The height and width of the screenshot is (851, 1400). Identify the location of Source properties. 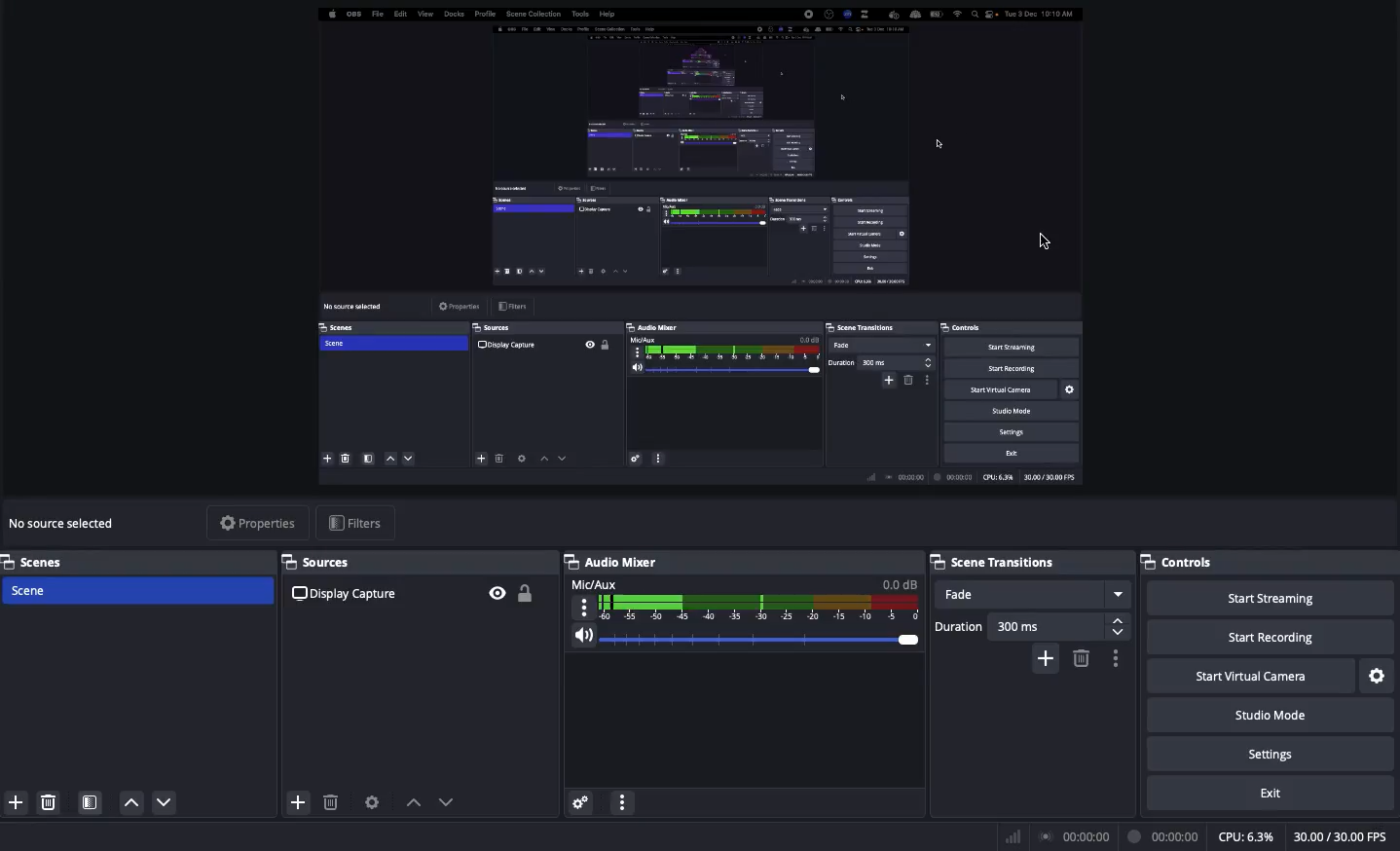
(371, 803).